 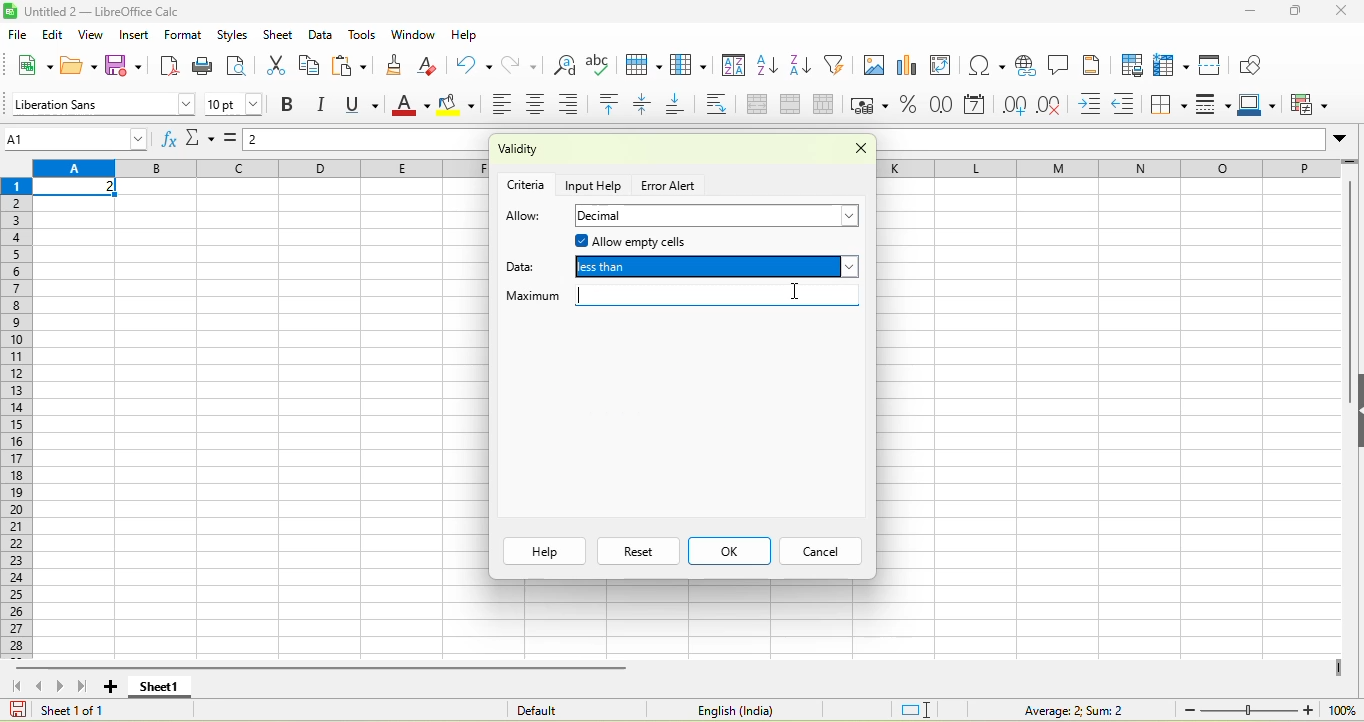 I want to click on paste, so click(x=352, y=66).